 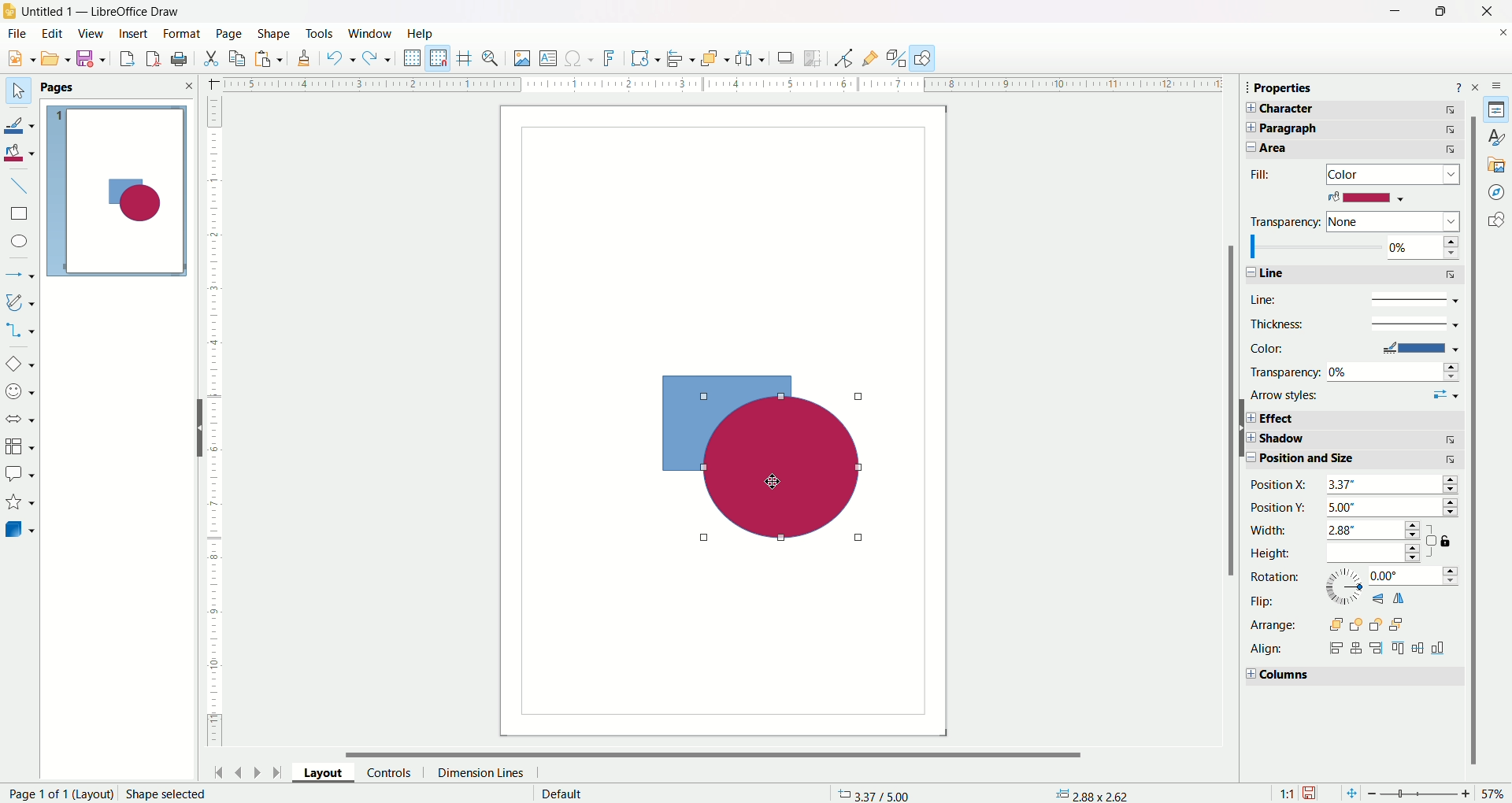 I want to click on rectangle, so click(x=19, y=213).